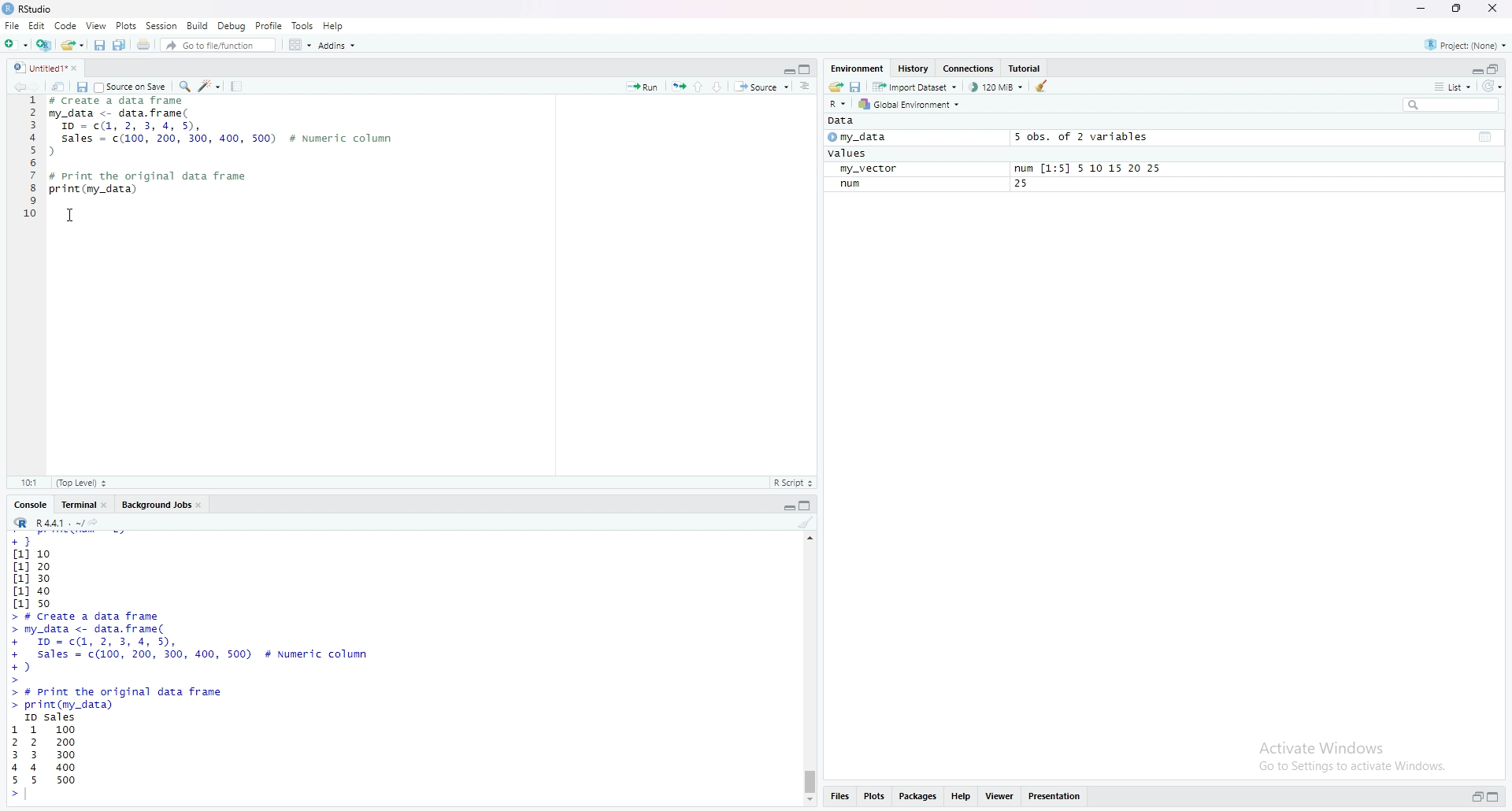 This screenshot has width=1512, height=811. Describe the element at coordinates (109, 505) in the screenshot. I see `close` at that location.